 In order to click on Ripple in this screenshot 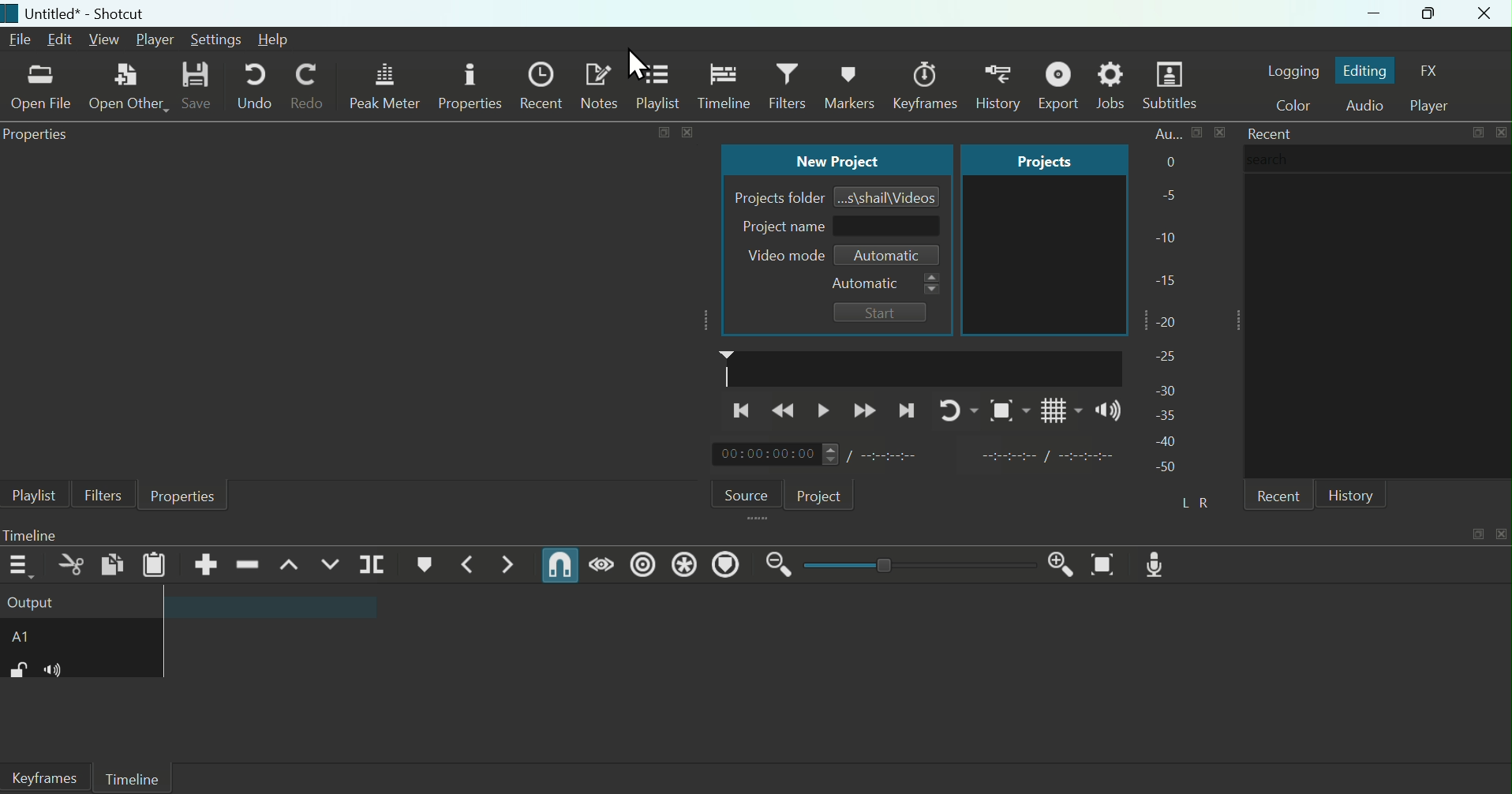, I will do `click(642, 567)`.